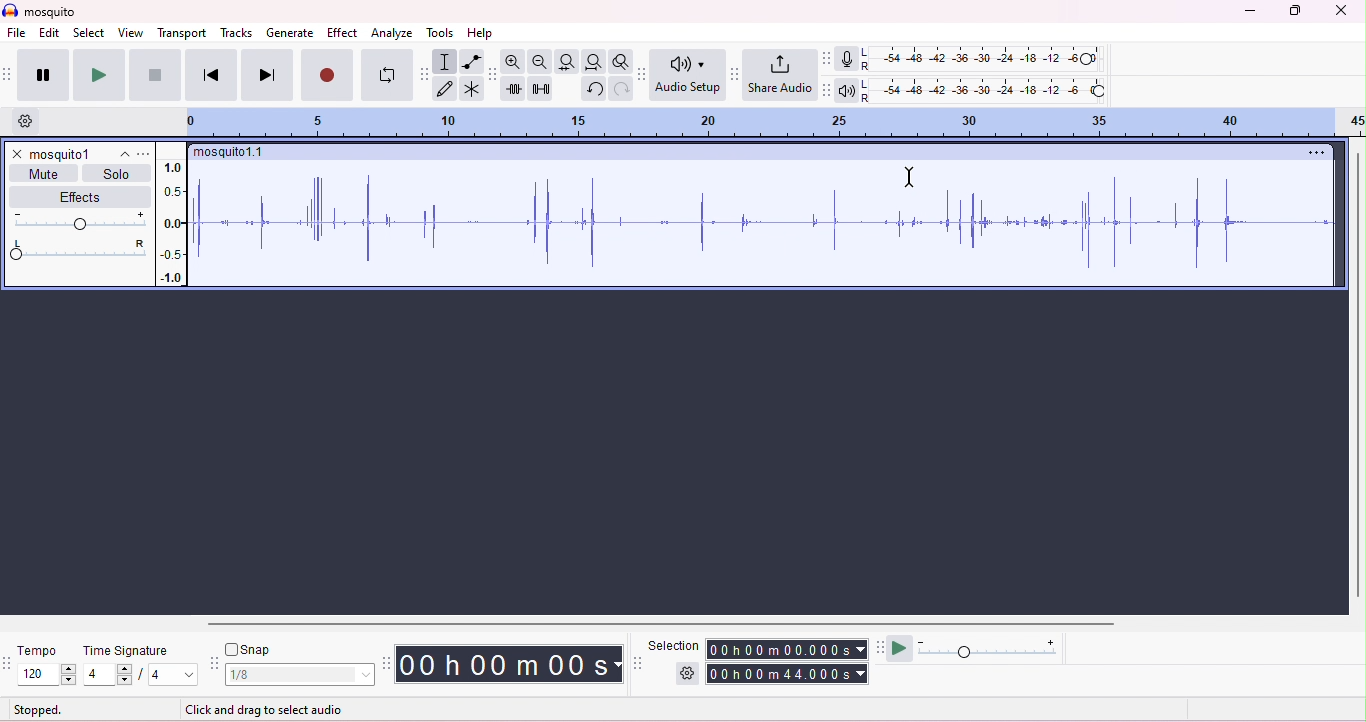 The image size is (1366, 722). What do you see at coordinates (1312, 152) in the screenshot?
I see `options` at bounding box center [1312, 152].